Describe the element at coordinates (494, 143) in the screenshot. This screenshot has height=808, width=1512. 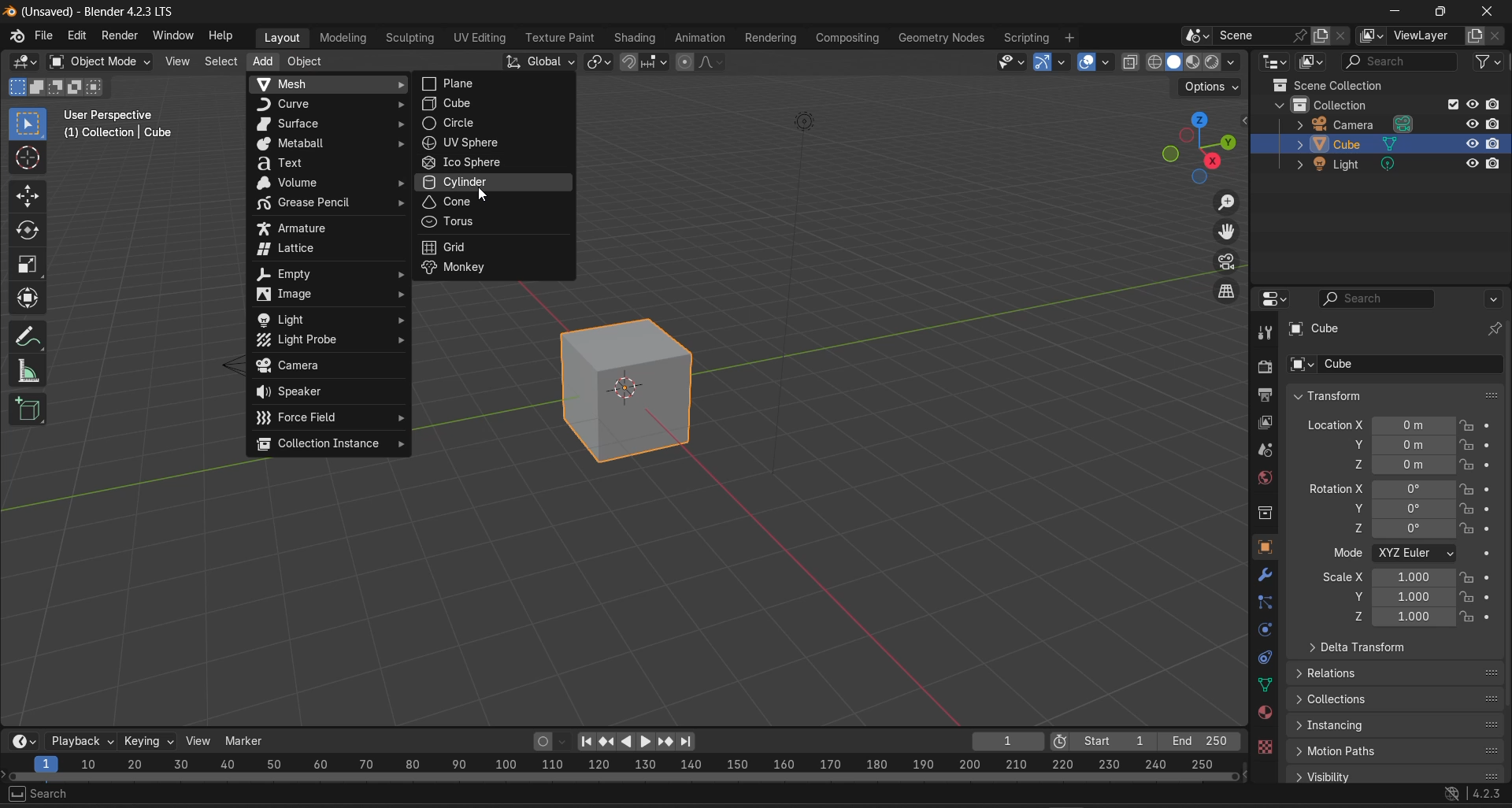
I see `UV sphere` at that location.